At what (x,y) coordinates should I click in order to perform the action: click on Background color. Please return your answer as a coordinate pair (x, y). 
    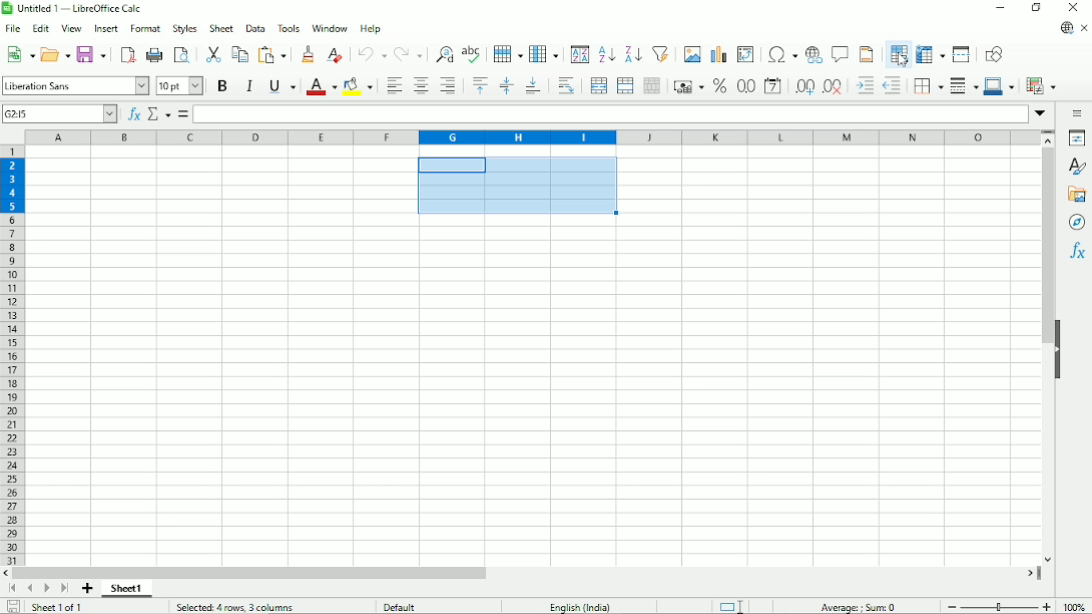
    Looking at the image, I should click on (358, 86).